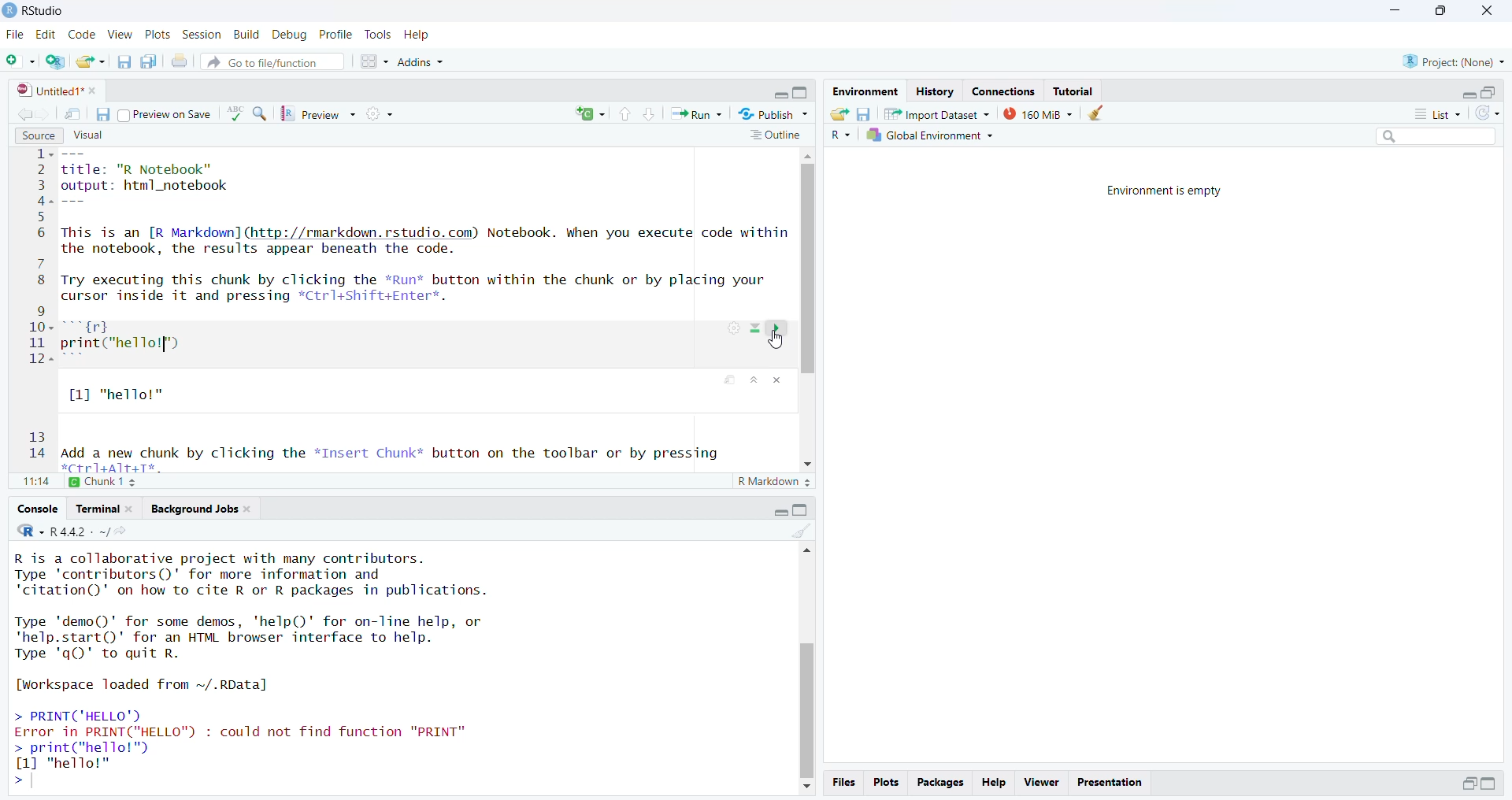  I want to click on file, so click(17, 35).